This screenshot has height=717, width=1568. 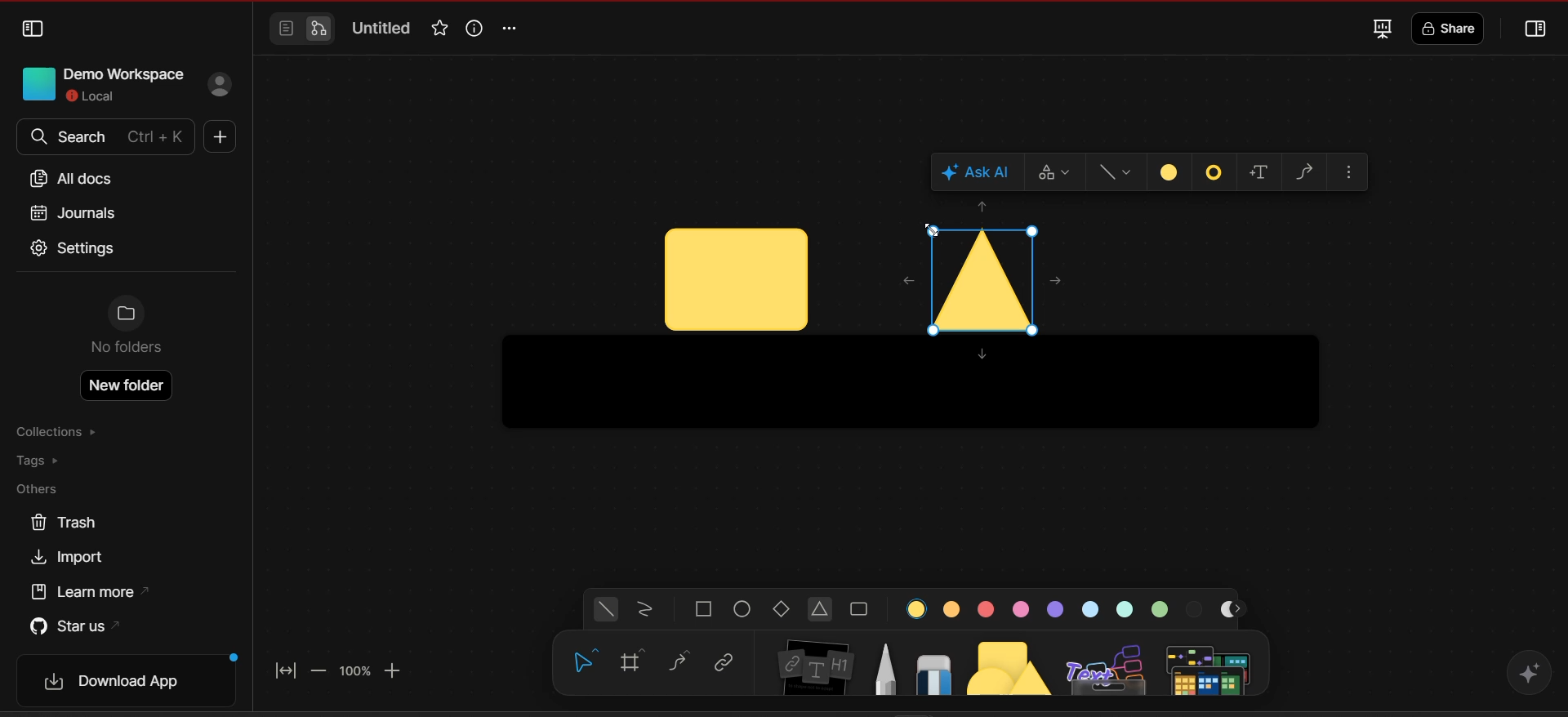 What do you see at coordinates (784, 611) in the screenshot?
I see `diamond` at bounding box center [784, 611].